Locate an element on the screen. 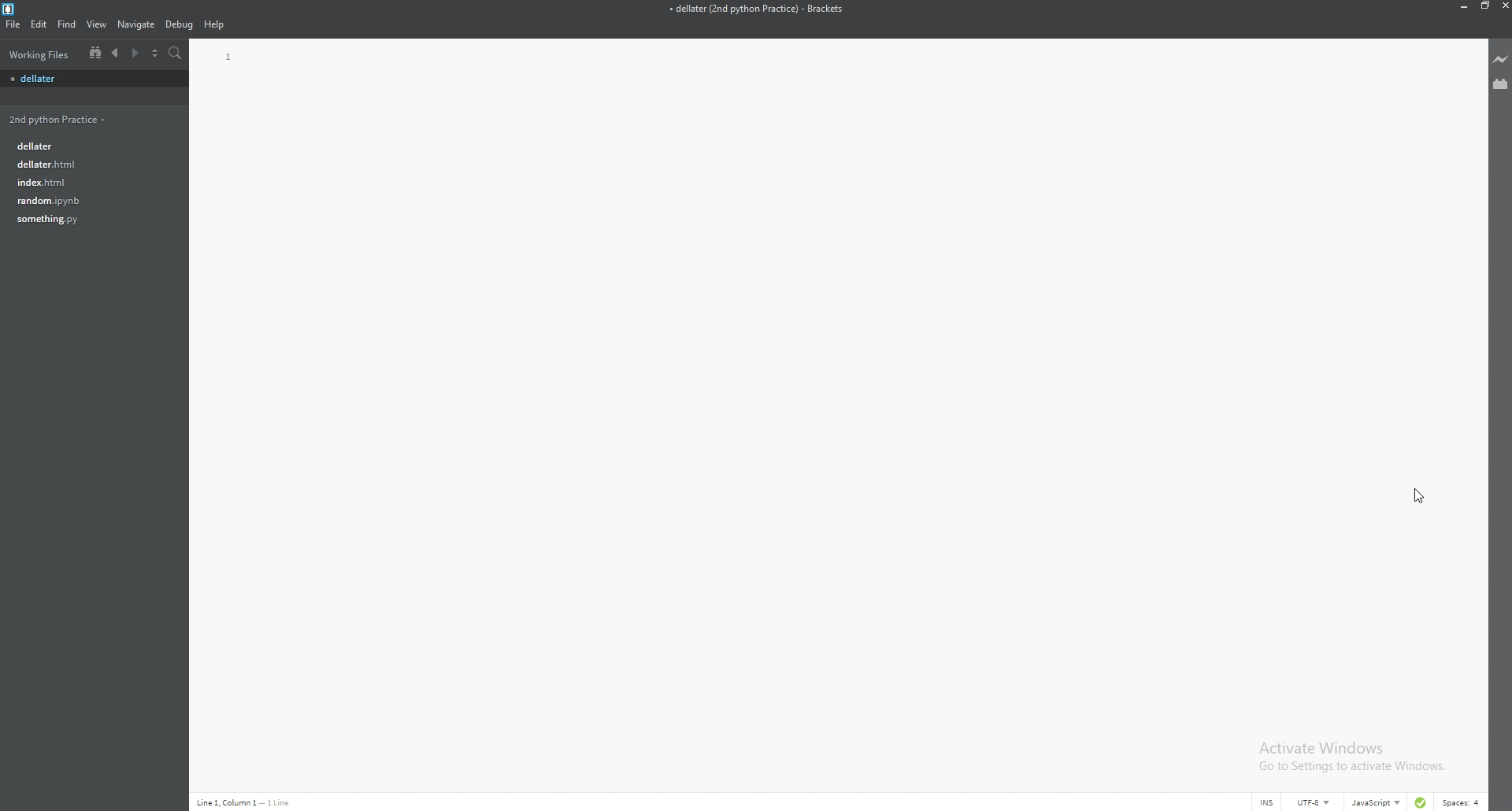  Cursor is located at coordinates (1417, 491).